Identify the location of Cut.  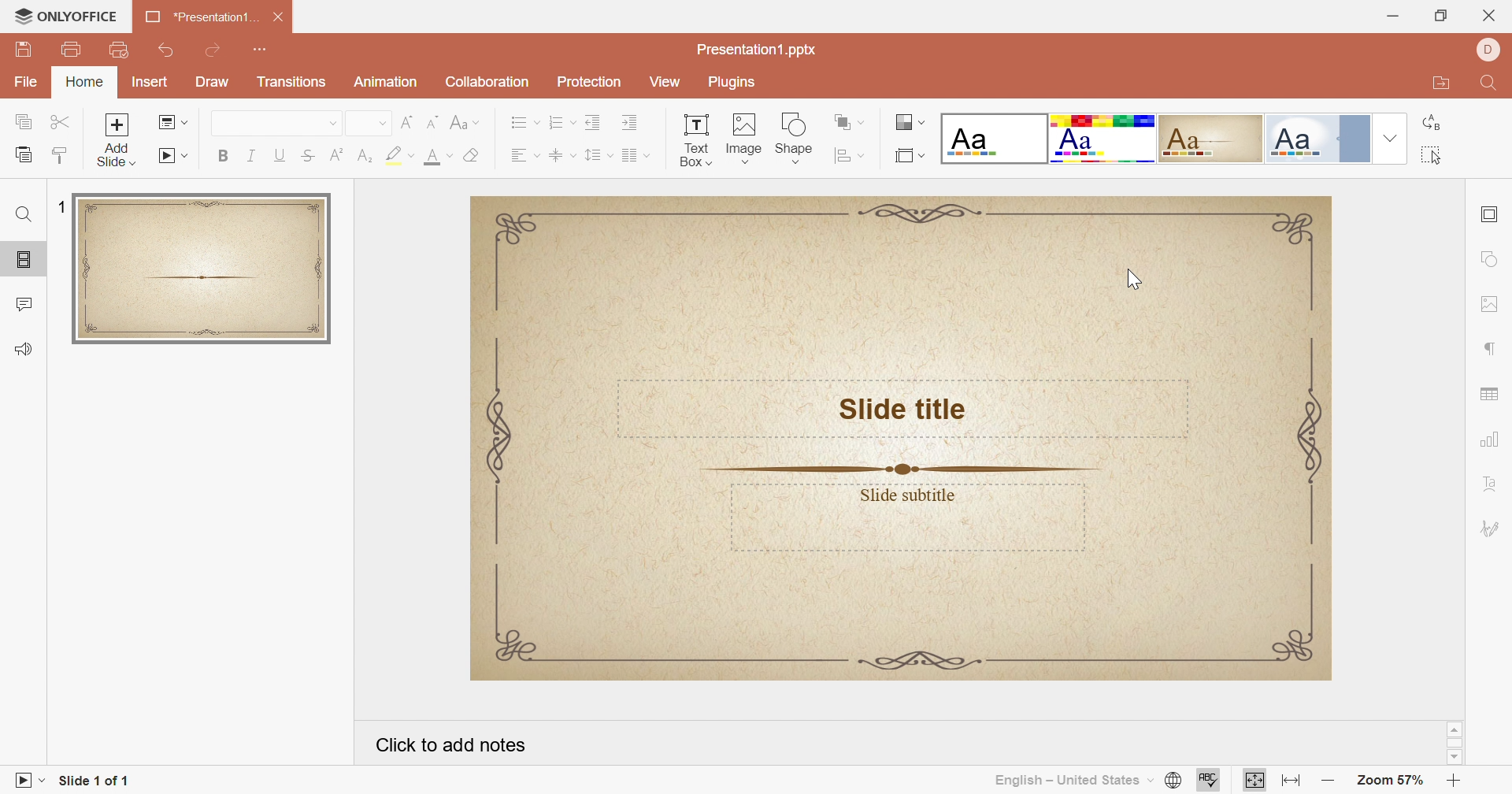
(64, 118).